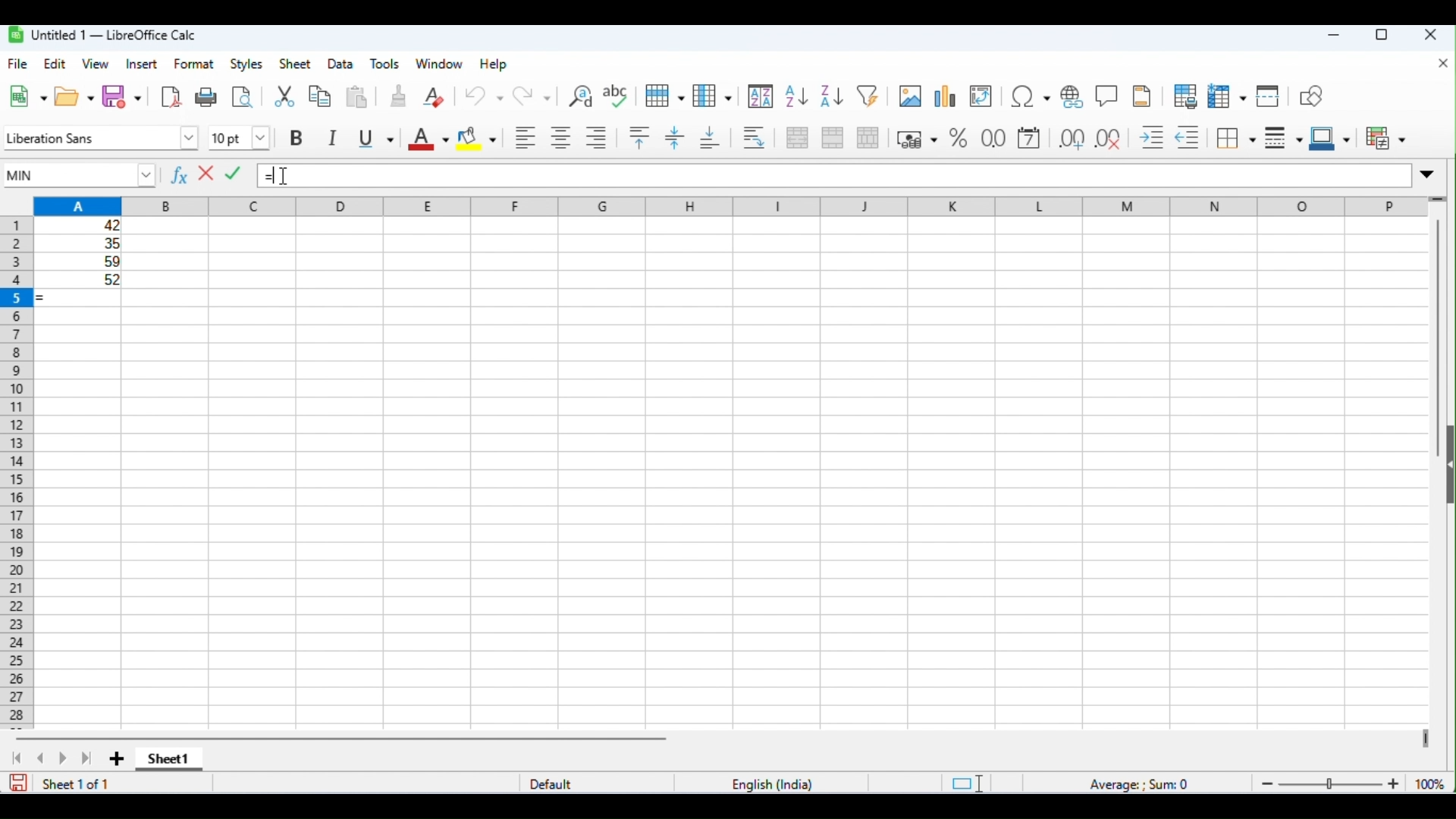 This screenshot has width=1456, height=819. I want to click on merge cells, so click(832, 137).